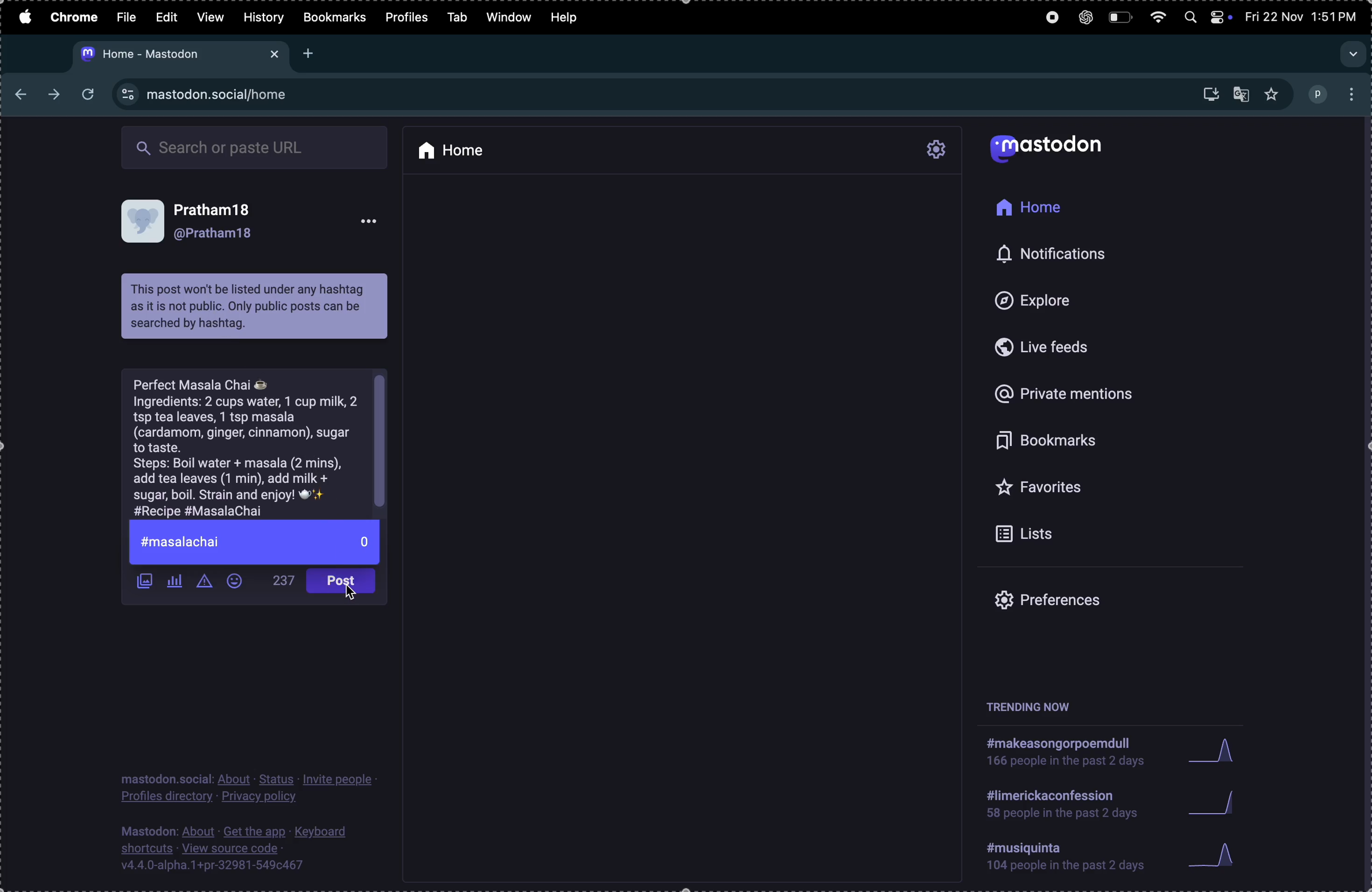 The image size is (1372, 892). What do you see at coordinates (1083, 17) in the screenshot?
I see `chatgpt` at bounding box center [1083, 17].